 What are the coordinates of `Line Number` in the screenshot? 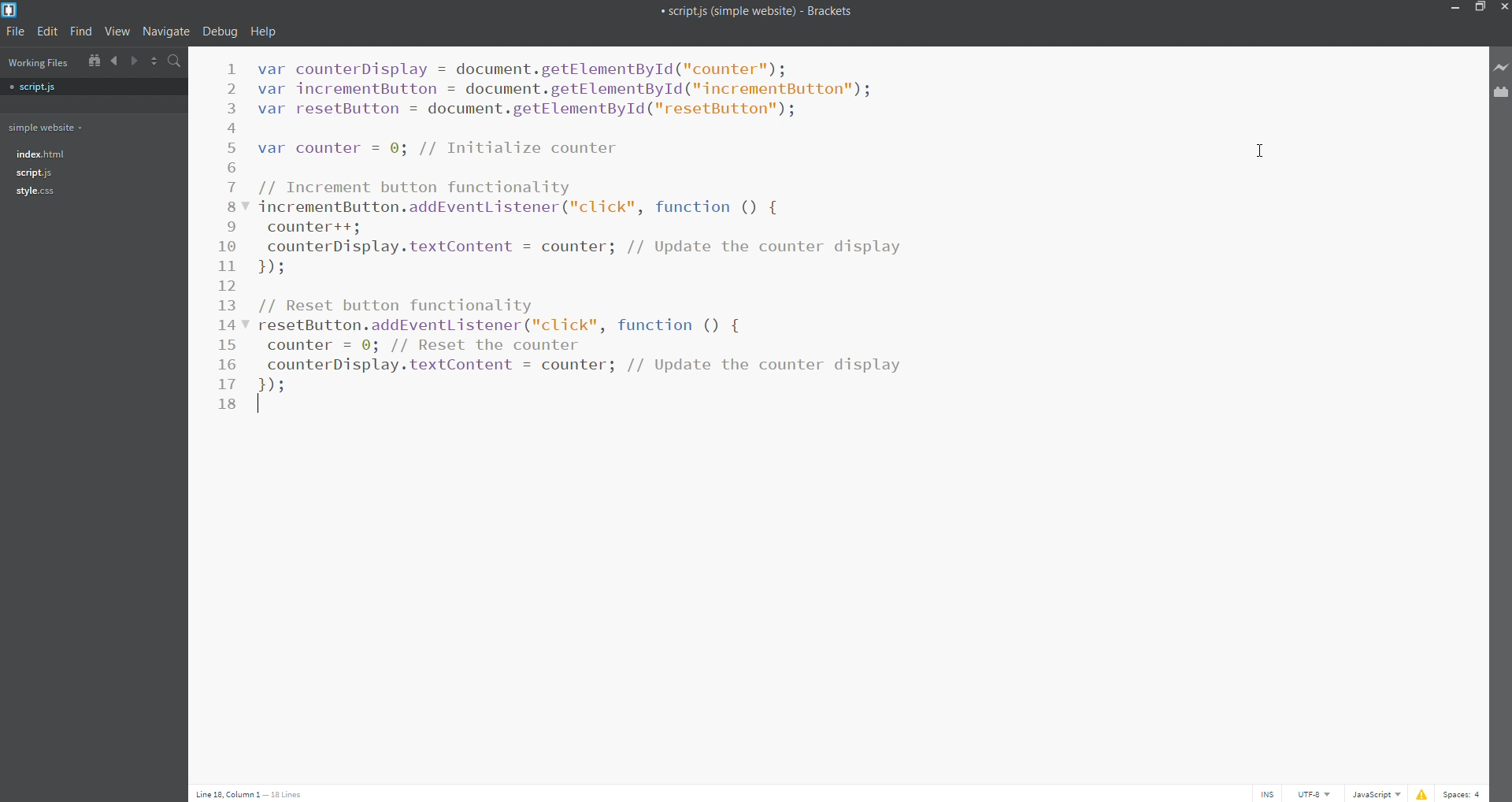 It's located at (229, 236).